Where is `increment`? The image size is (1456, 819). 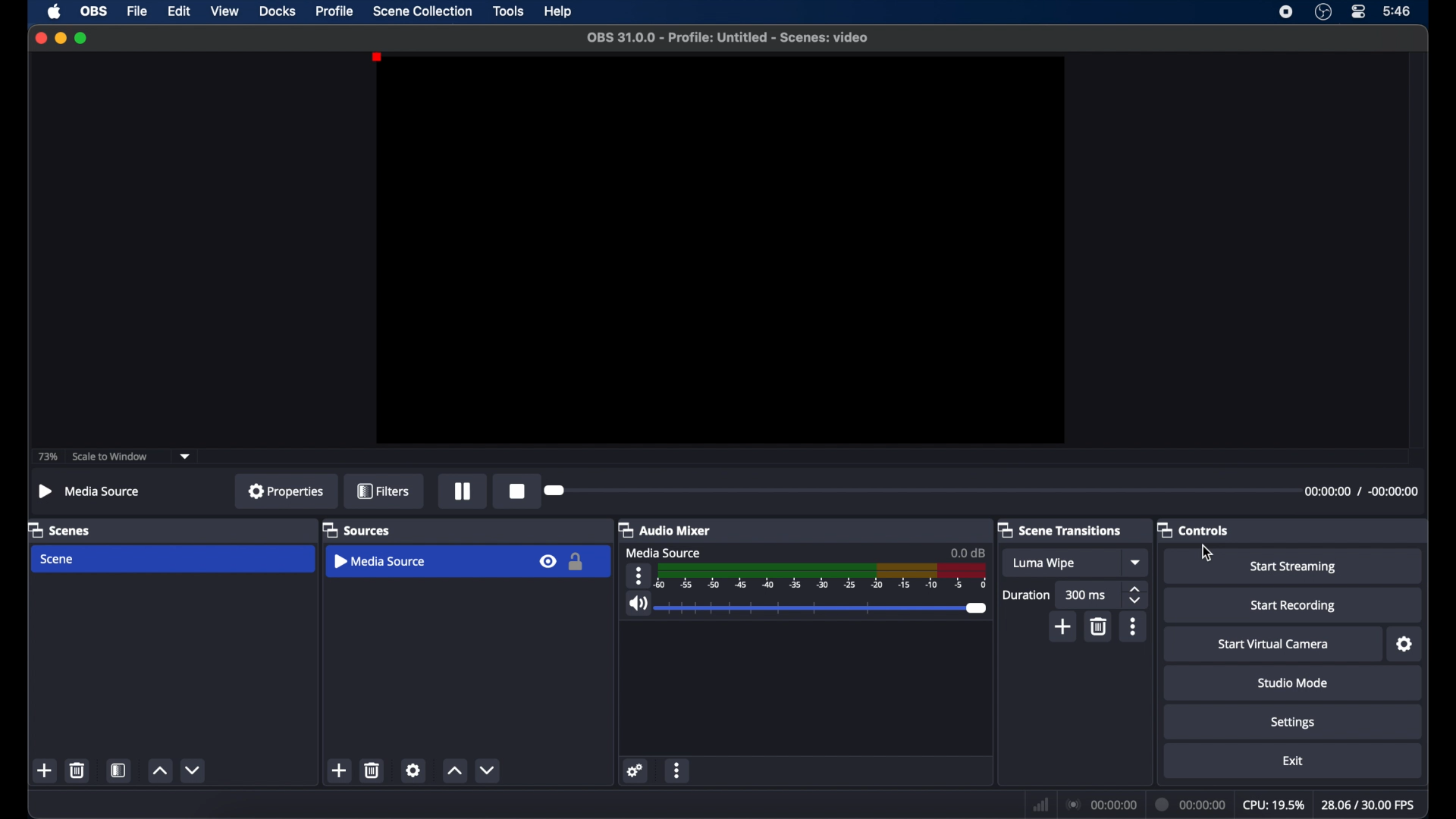 increment is located at coordinates (159, 771).